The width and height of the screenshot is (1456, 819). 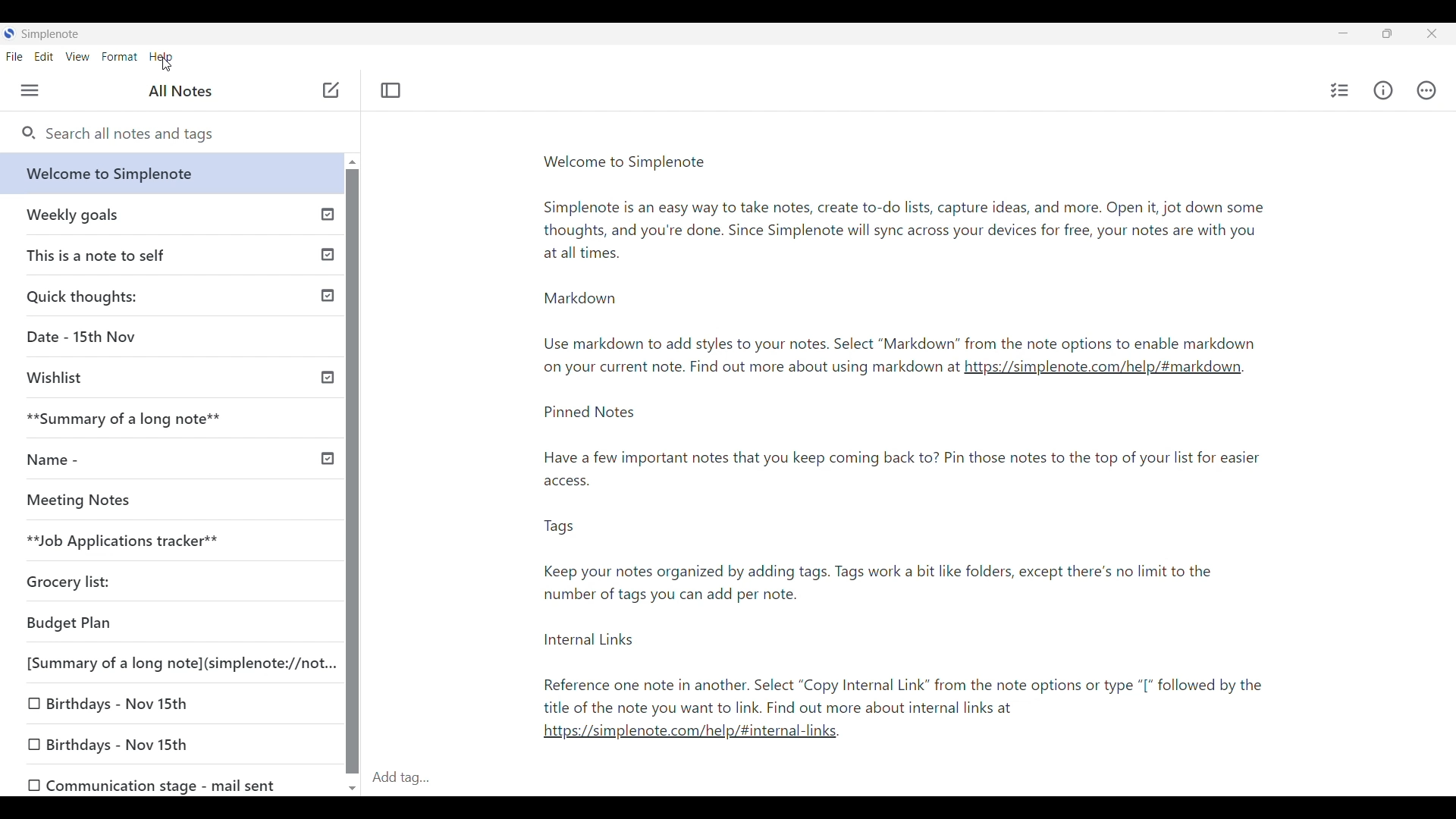 I want to click on Birthdays - Nov 15th, so click(x=99, y=704).